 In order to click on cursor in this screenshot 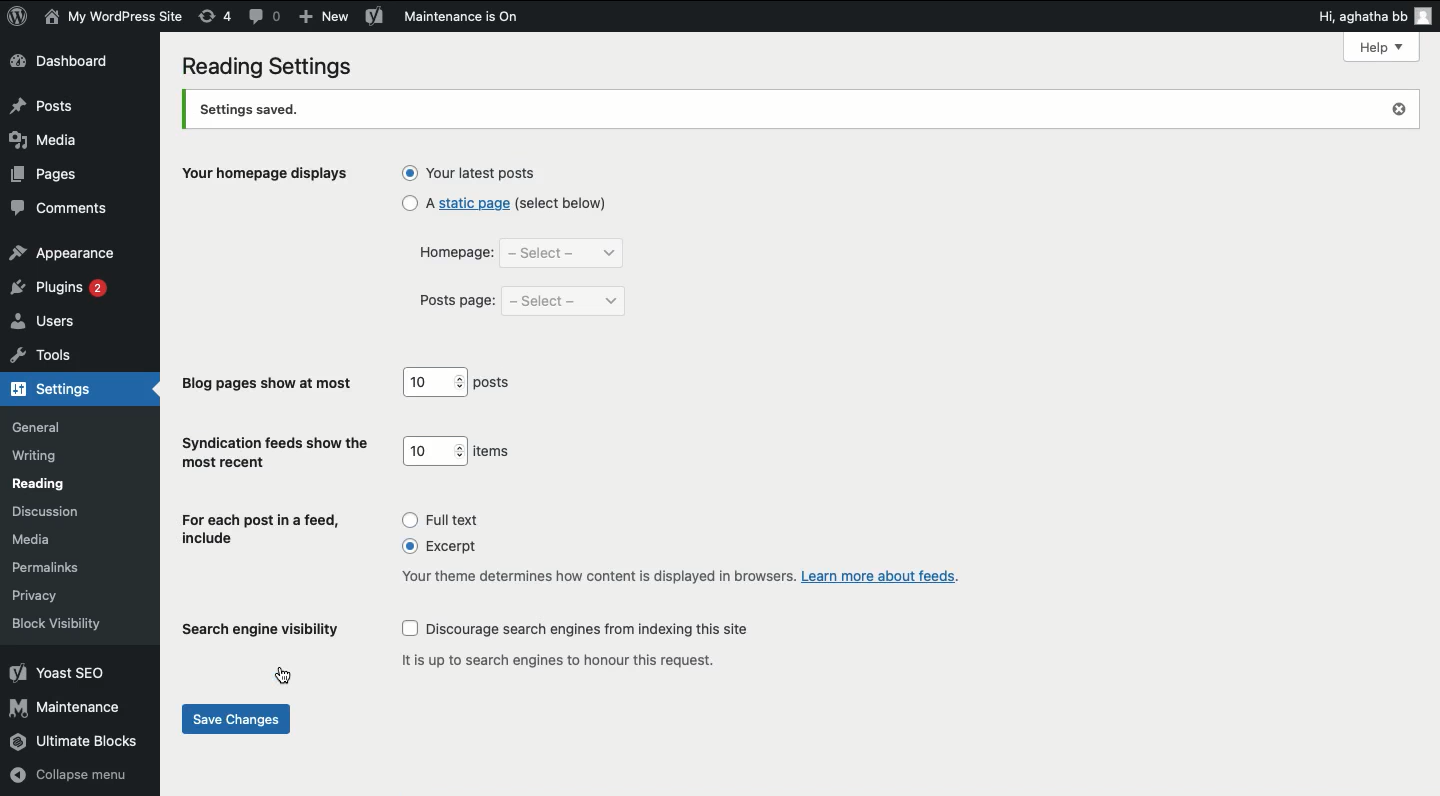, I will do `click(287, 674)`.